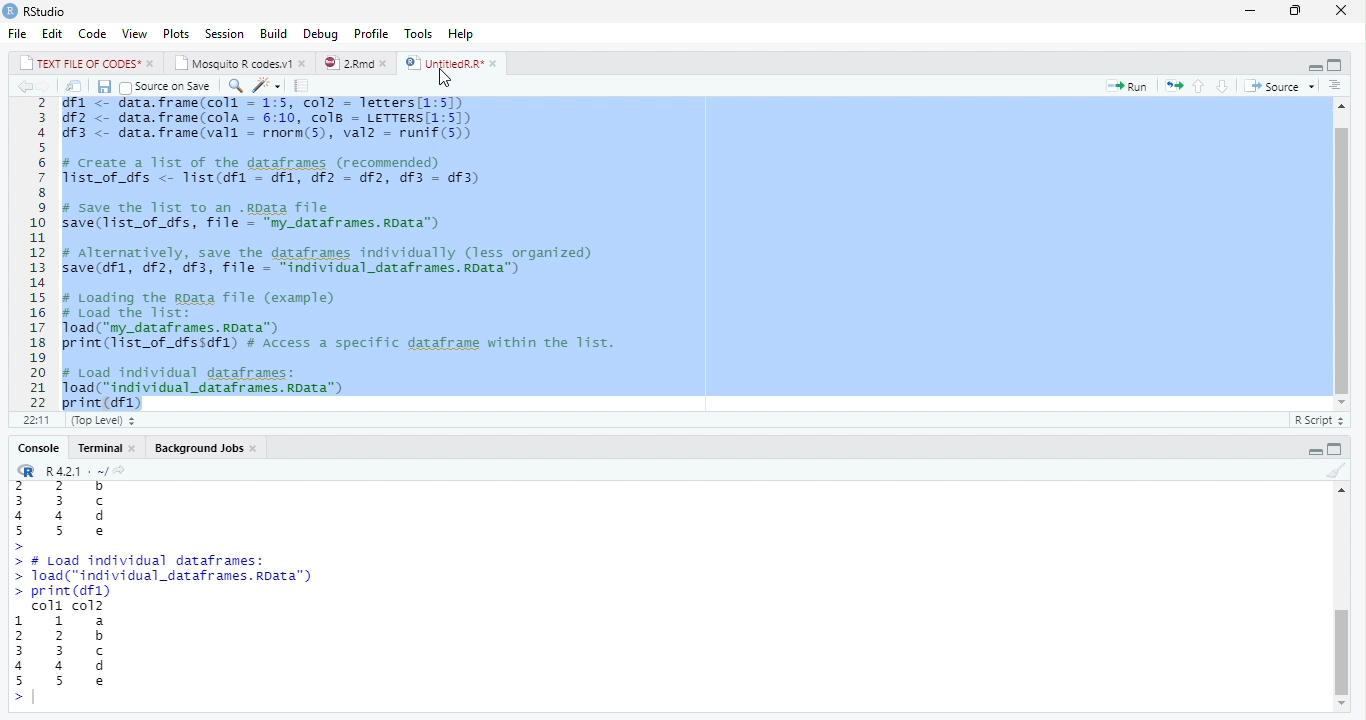 The image size is (1366, 720). What do you see at coordinates (268, 87) in the screenshot?
I see `Code Tools` at bounding box center [268, 87].